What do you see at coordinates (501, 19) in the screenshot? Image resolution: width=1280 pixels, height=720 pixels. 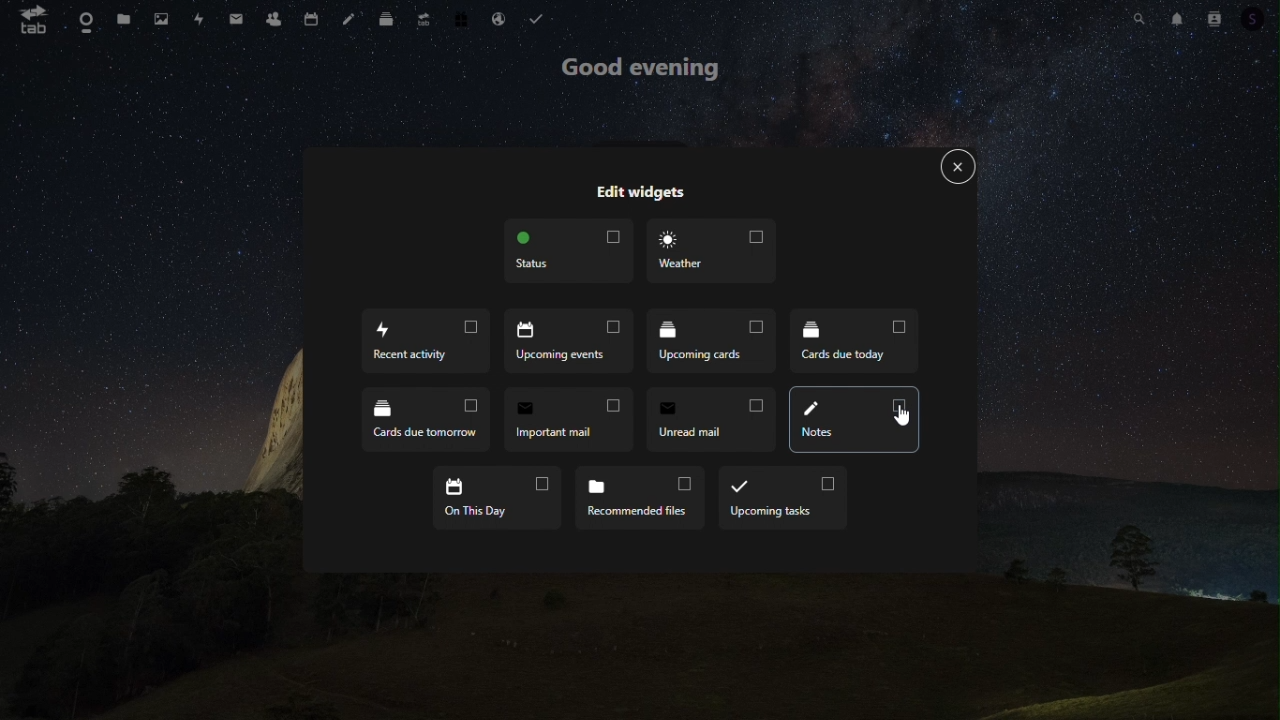 I see `email hosting` at bounding box center [501, 19].